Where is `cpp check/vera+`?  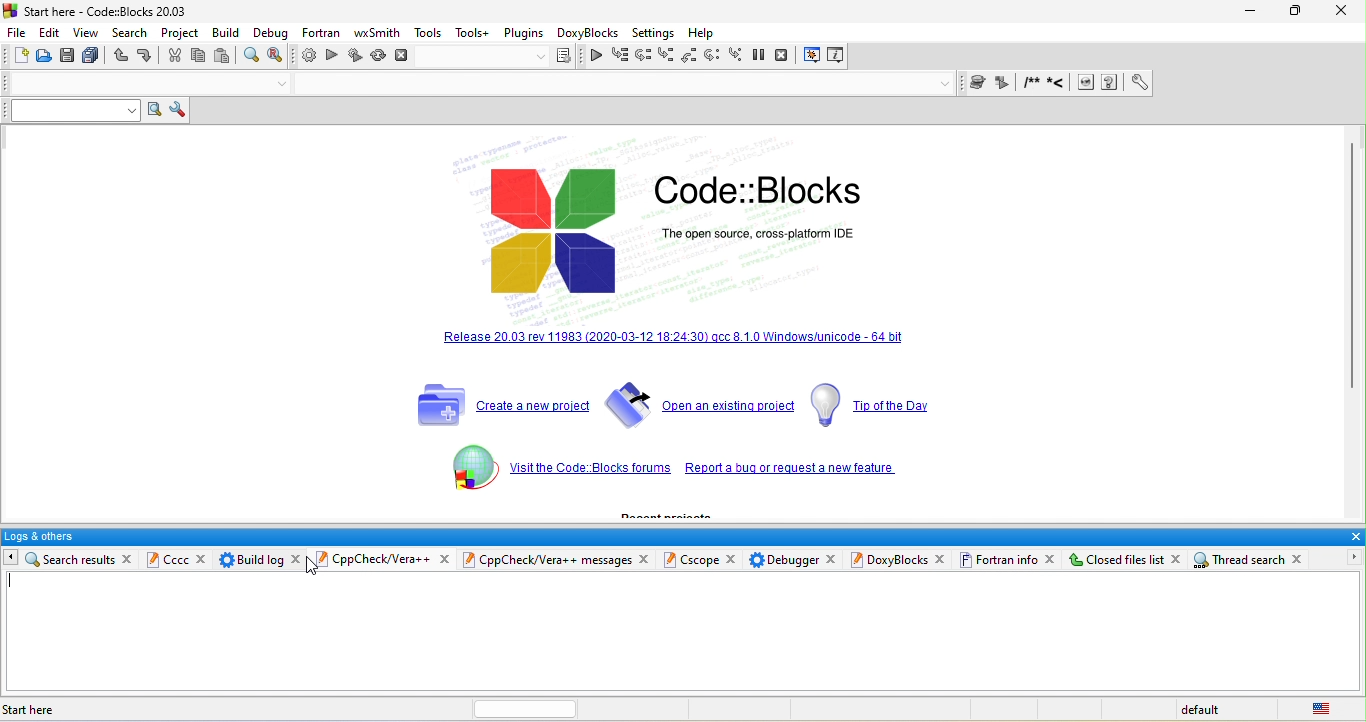 cpp check/vera+ is located at coordinates (378, 559).